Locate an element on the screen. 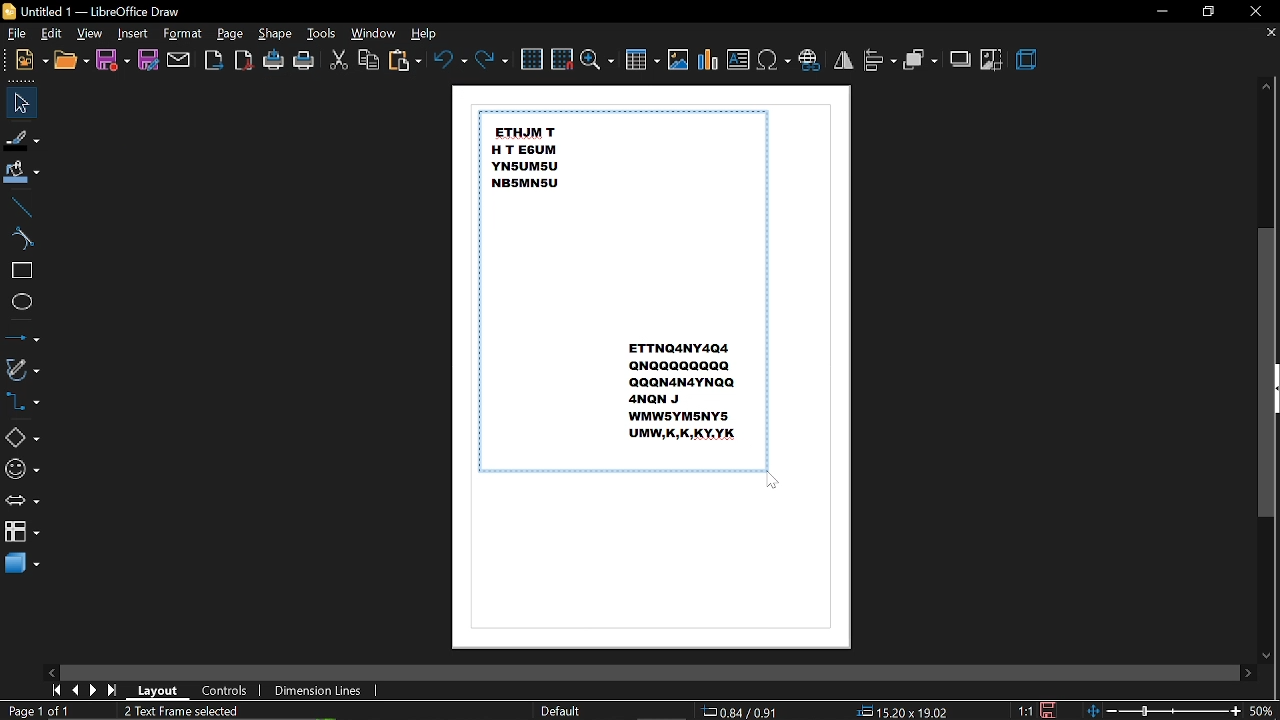  fill line is located at coordinates (23, 138).